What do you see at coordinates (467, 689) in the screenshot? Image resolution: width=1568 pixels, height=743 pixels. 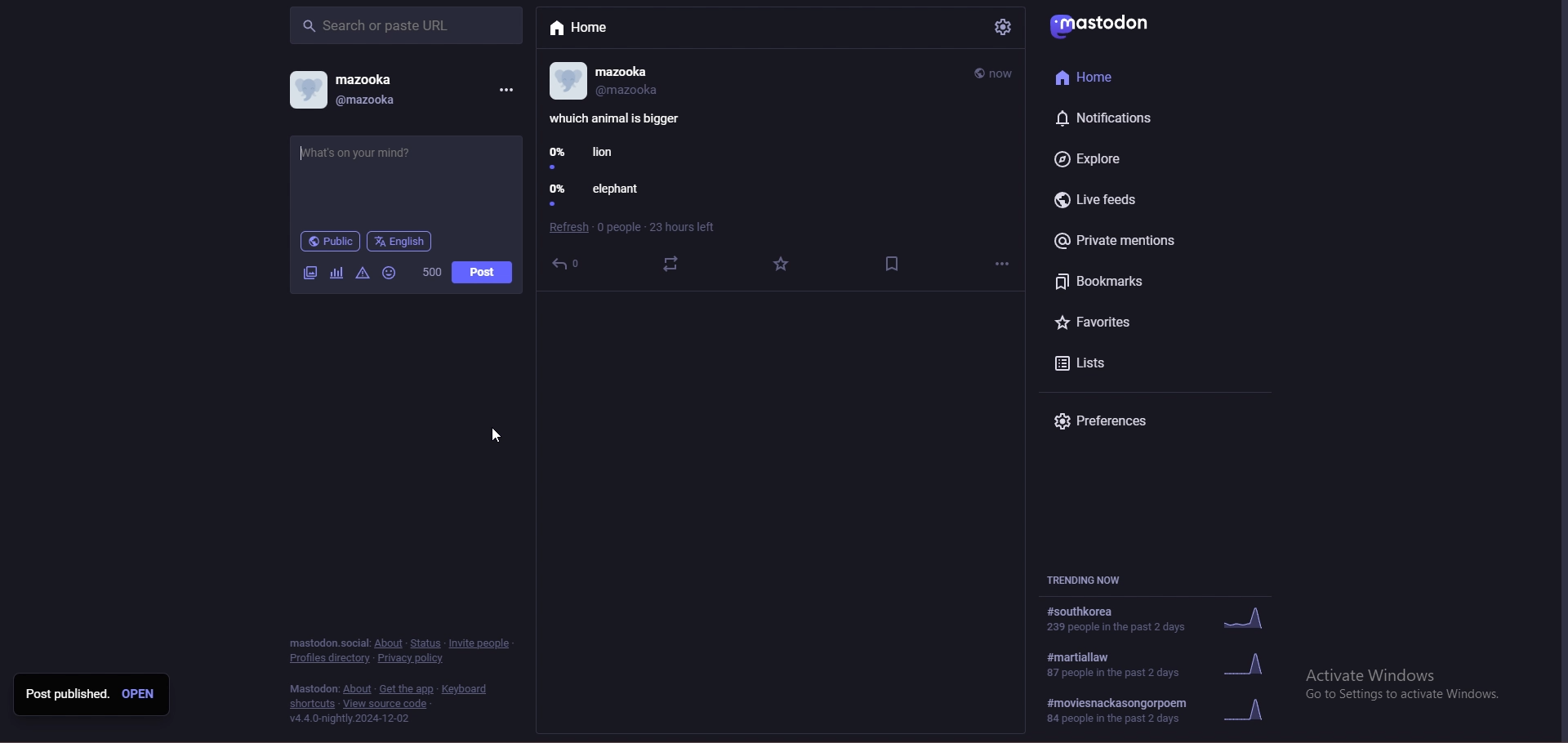 I see `keyboard` at bounding box center [467, 689].